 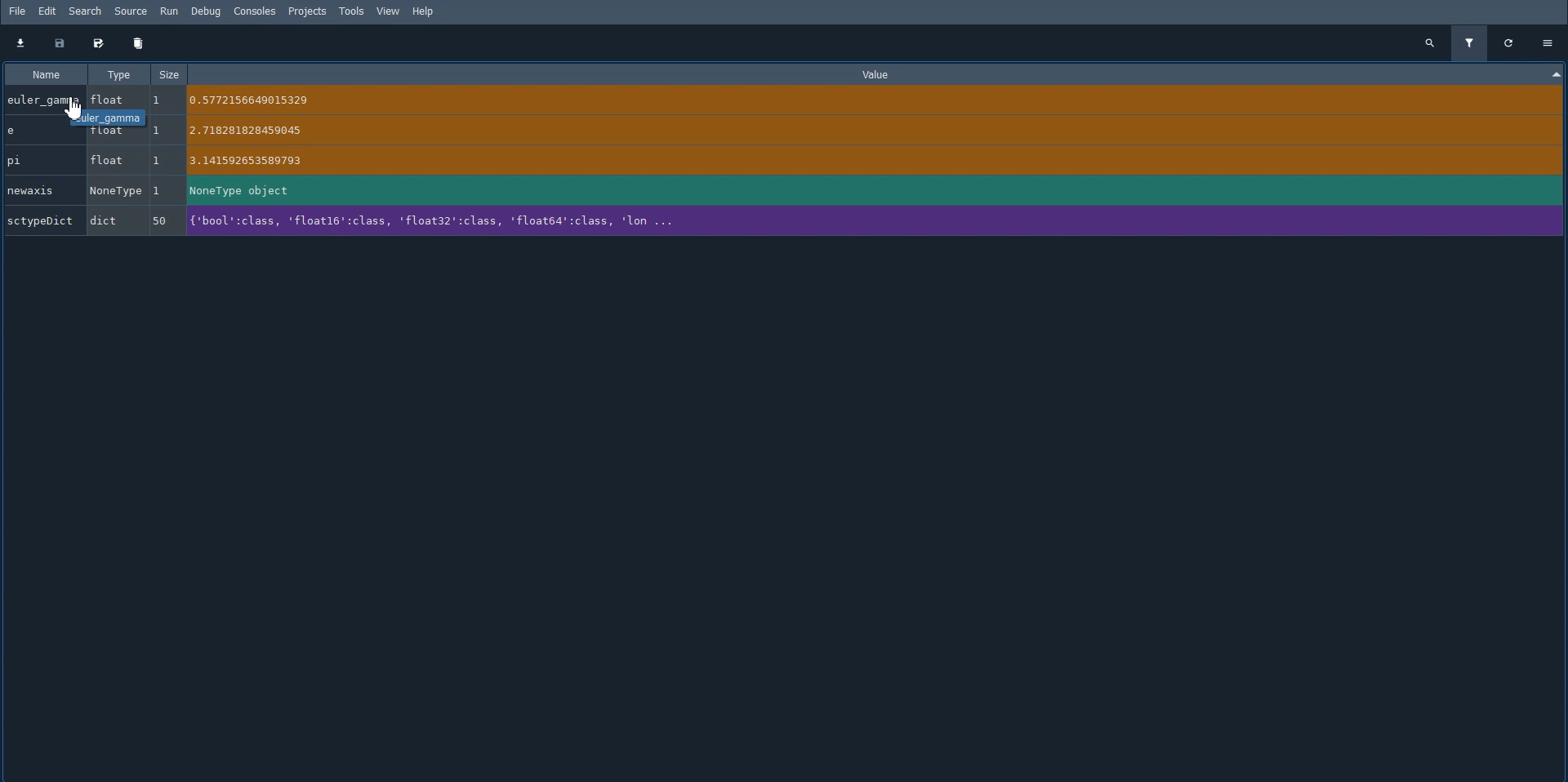 I want to click on Options, so click(x=1548, y=42).